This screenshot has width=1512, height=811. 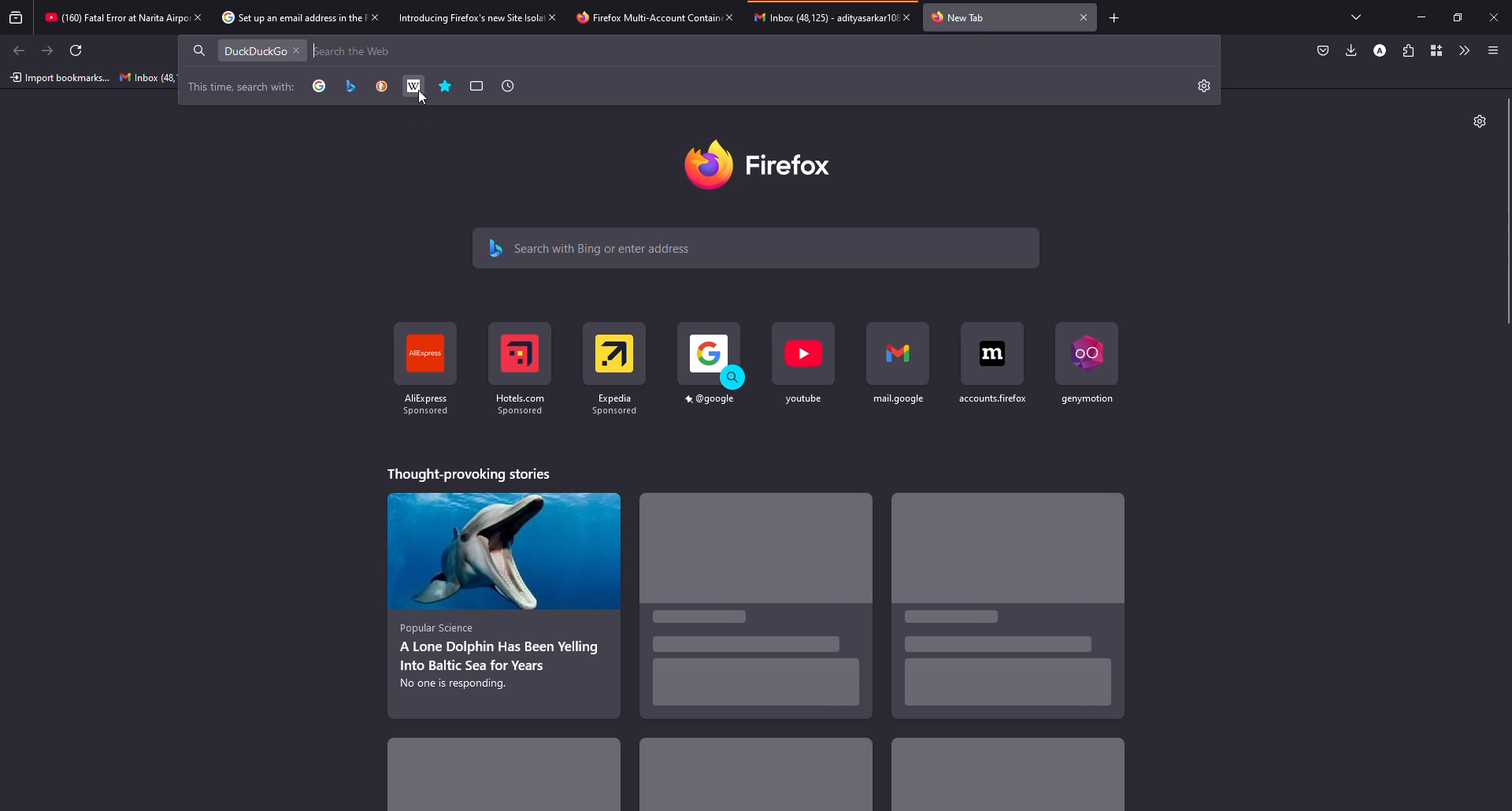 What do you see at coordinates (899, 375) in the screenshot?
I see `shortcut` at bounding box center [899, 375].